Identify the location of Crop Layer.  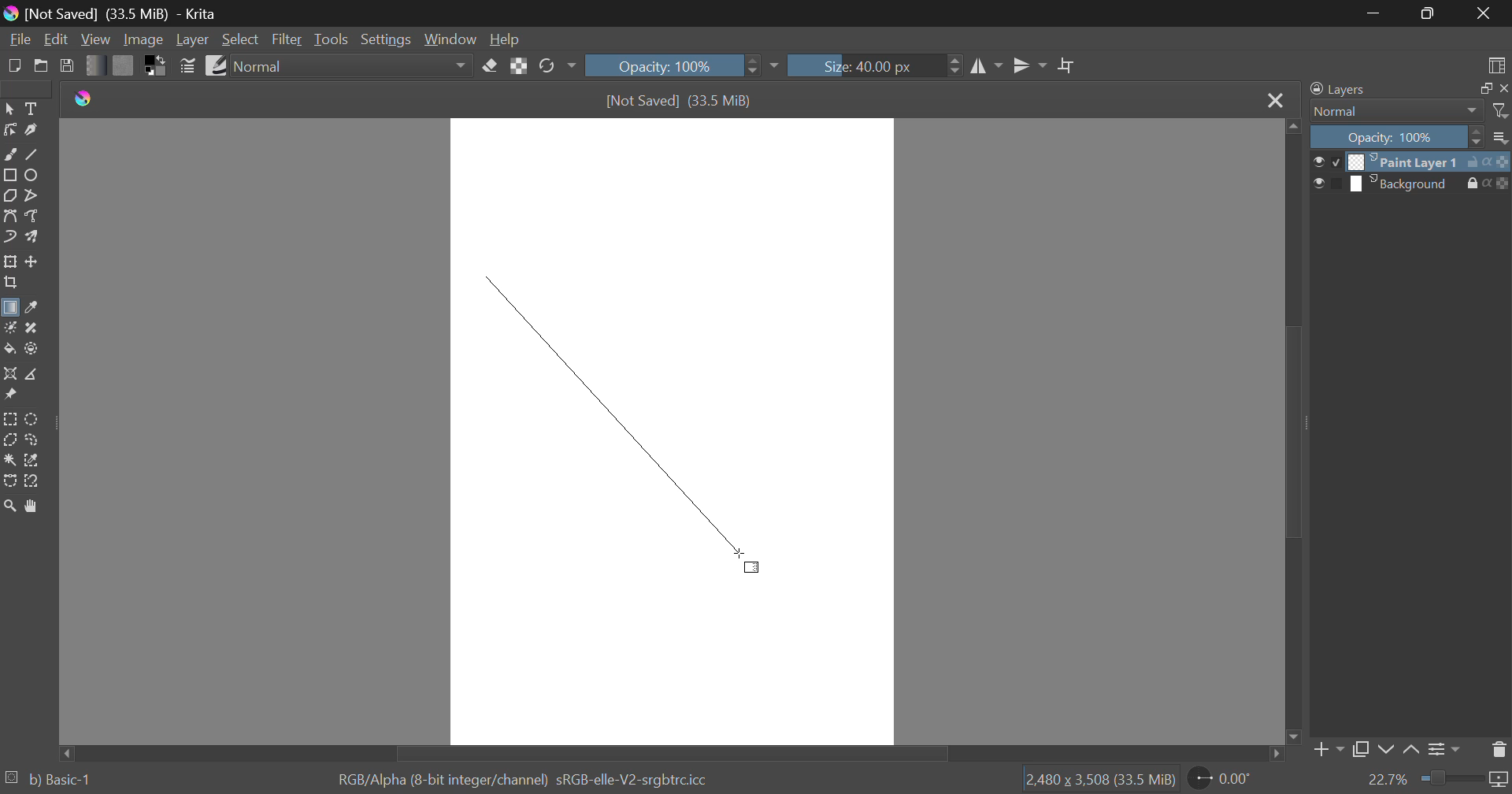
(9, 284).